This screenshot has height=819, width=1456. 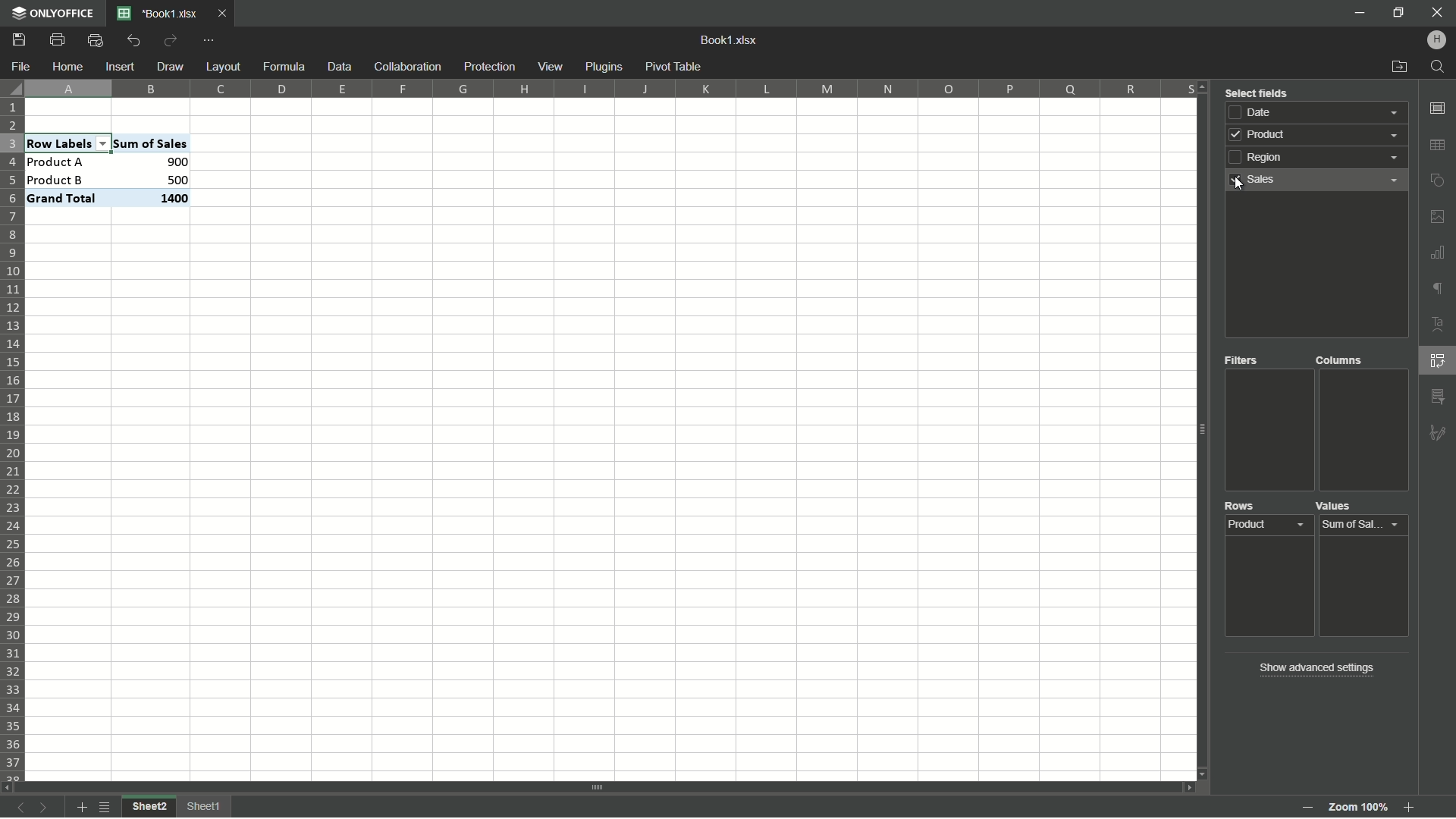 What do you see at coordinates (1320, 112) in the screenshot?
I see `Date` at bounding box center [1320, 112].